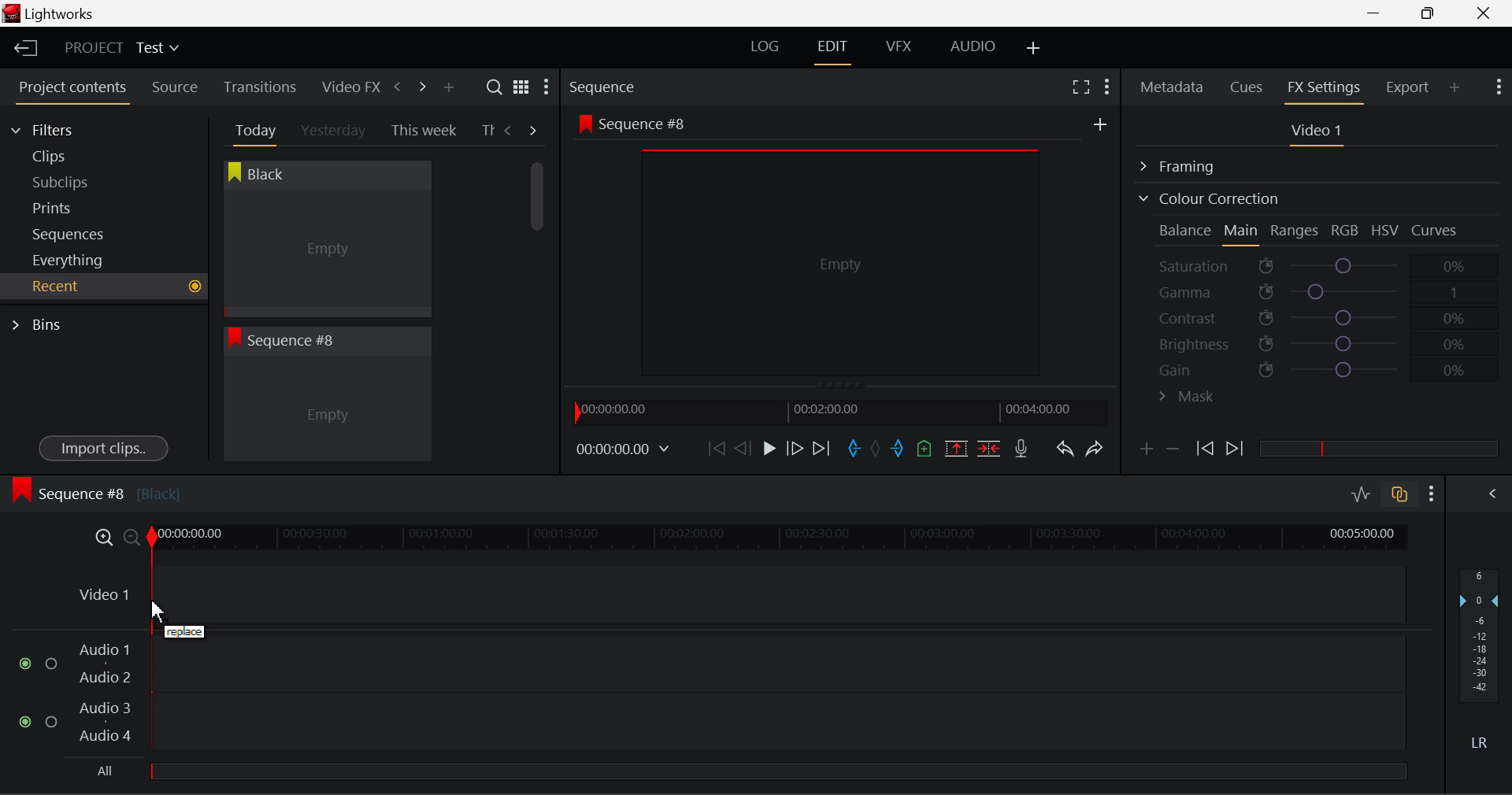  Describe the element at coordinates (1034, 49) in the screenshot. I see `Add Layout` at that location.